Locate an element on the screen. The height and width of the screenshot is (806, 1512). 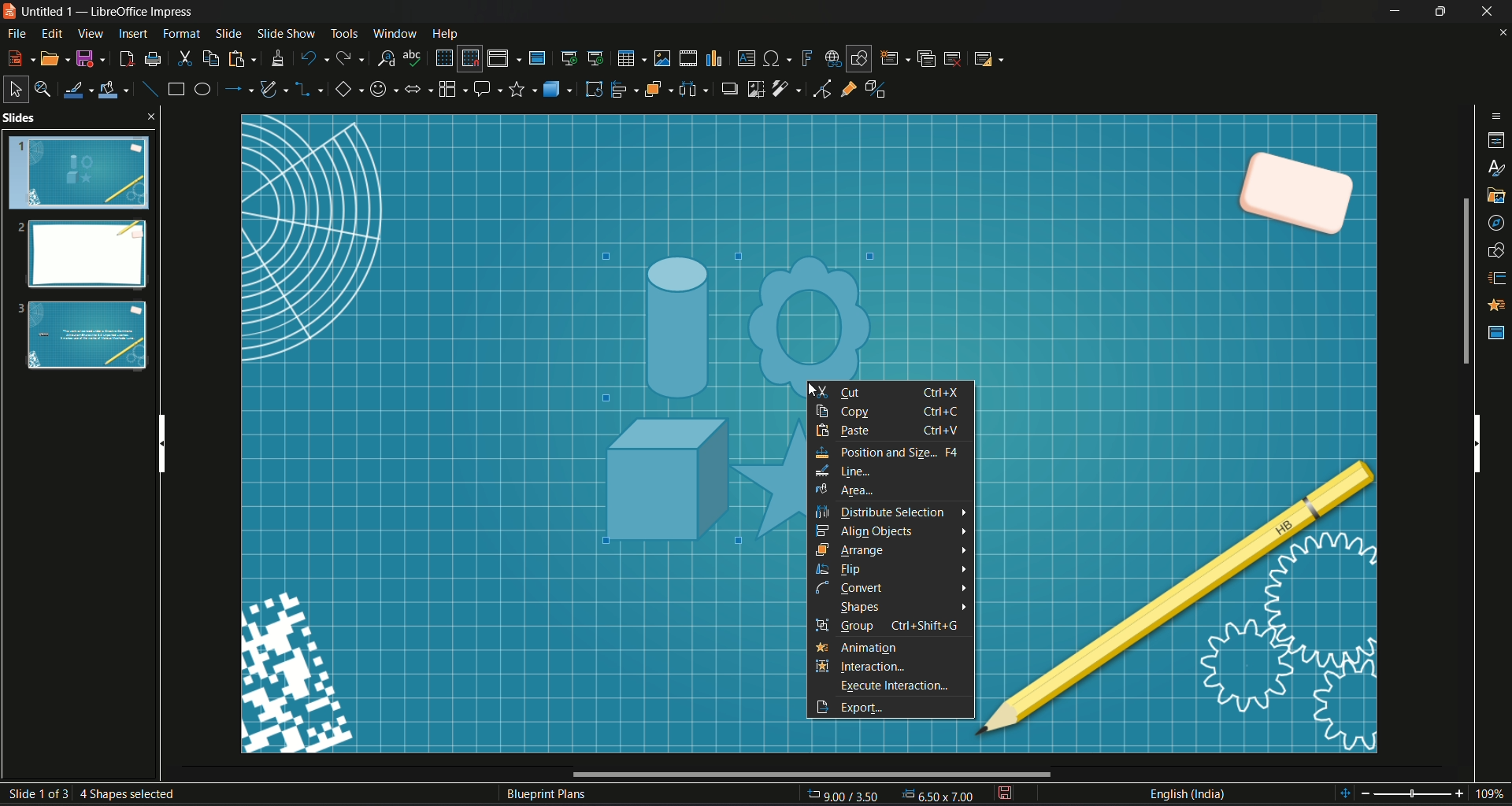
insert textbox is located at coordinates (745, 57).